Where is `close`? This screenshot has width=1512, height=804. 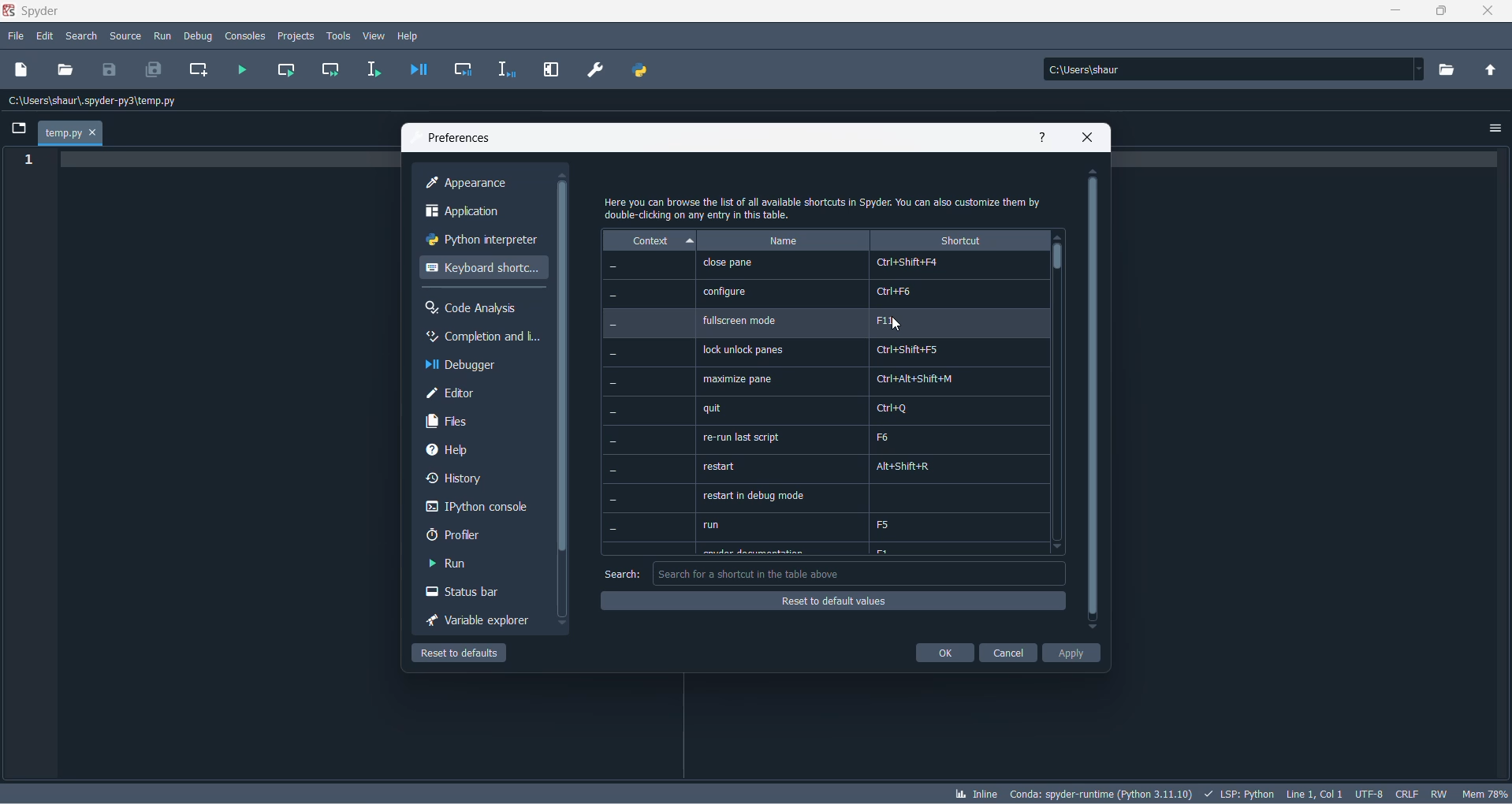
close is located at coordinates (1089, 139).